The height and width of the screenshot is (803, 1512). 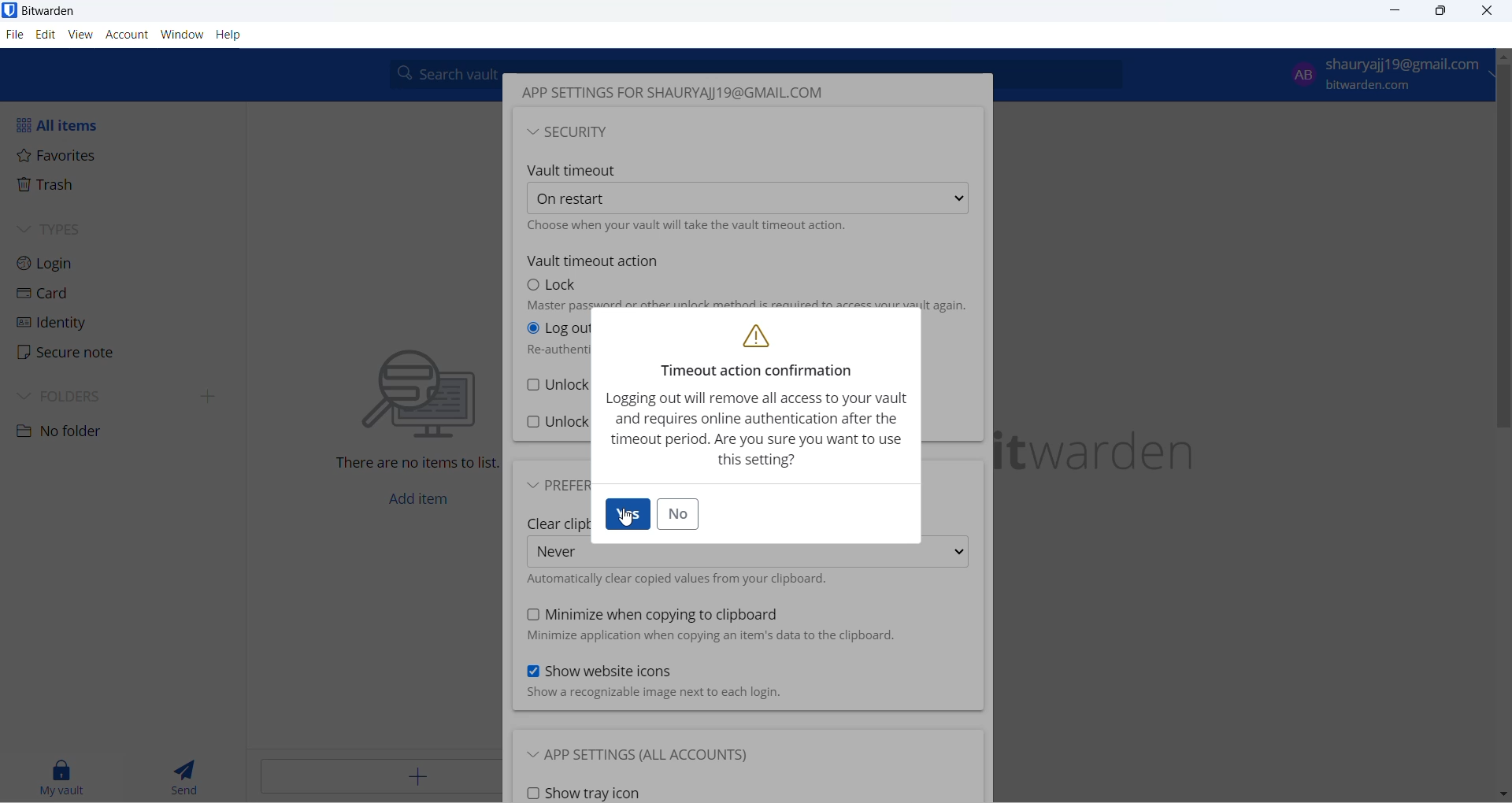 I want to click on edit, so click(x=46, y=35).